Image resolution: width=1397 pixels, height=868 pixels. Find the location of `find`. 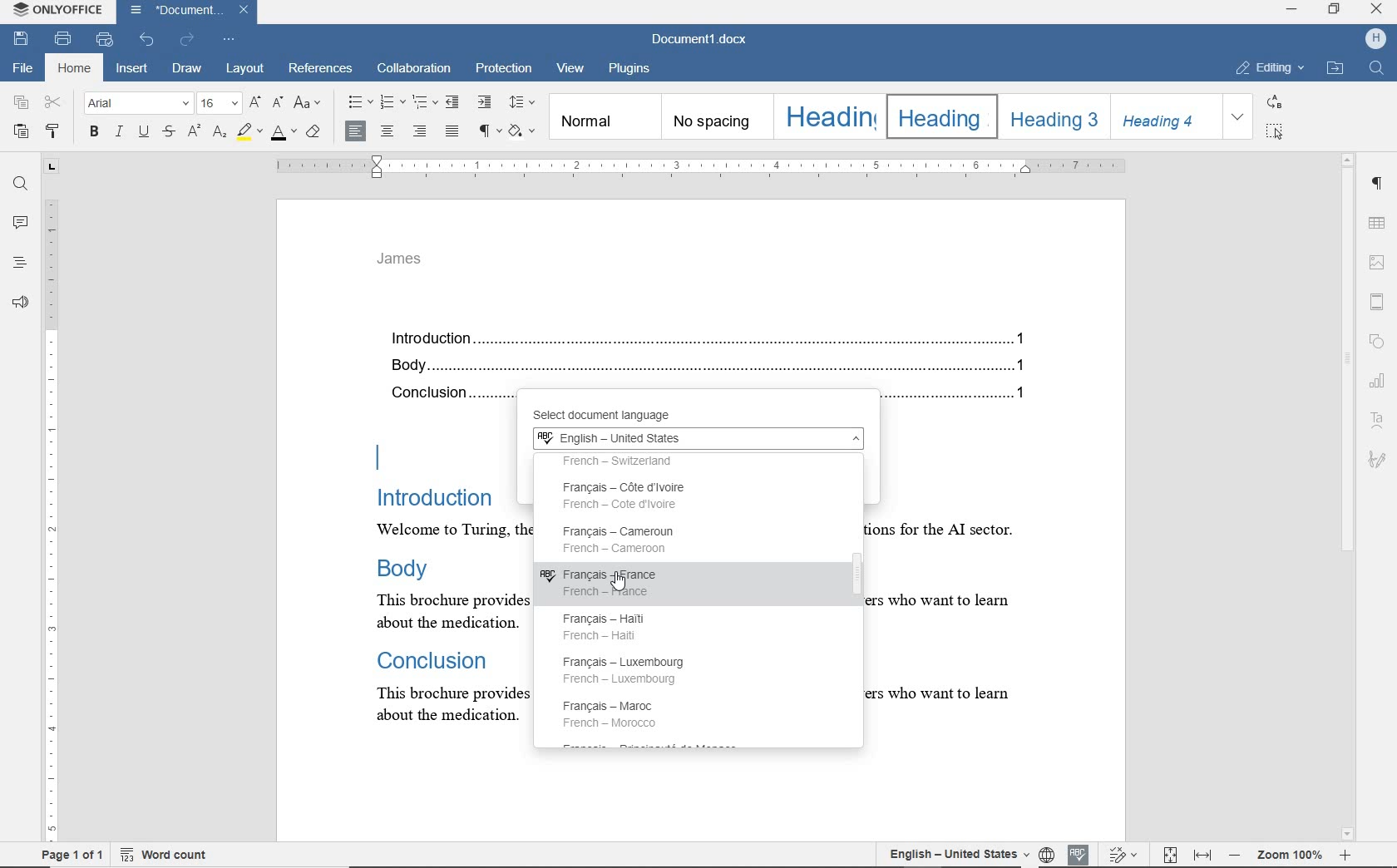

find is located at coordinates (20, 185).